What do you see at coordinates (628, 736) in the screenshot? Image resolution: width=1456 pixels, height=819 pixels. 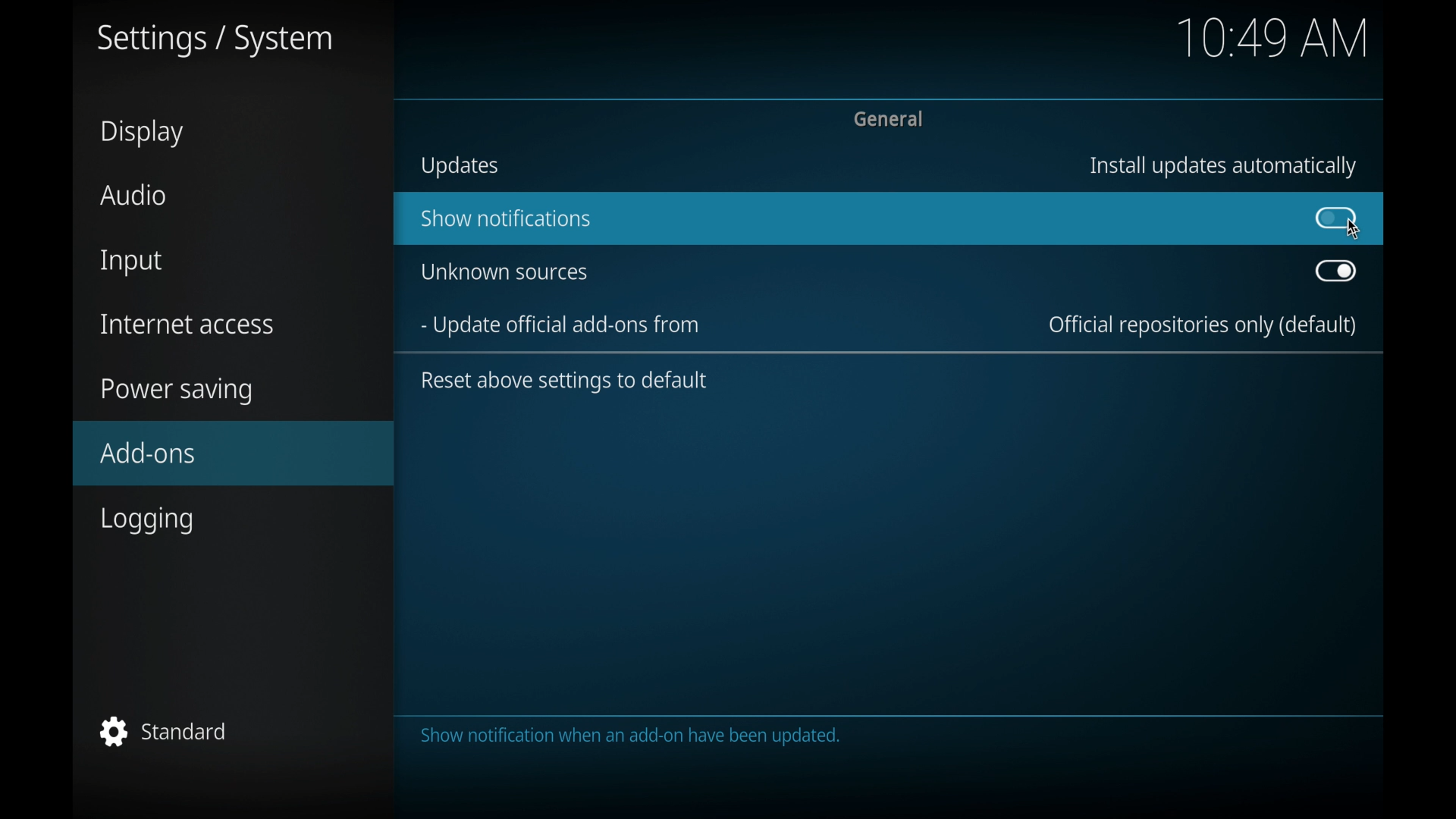 I see `the category contains settings for the  add on. system ` at bounding box center [628, 736].